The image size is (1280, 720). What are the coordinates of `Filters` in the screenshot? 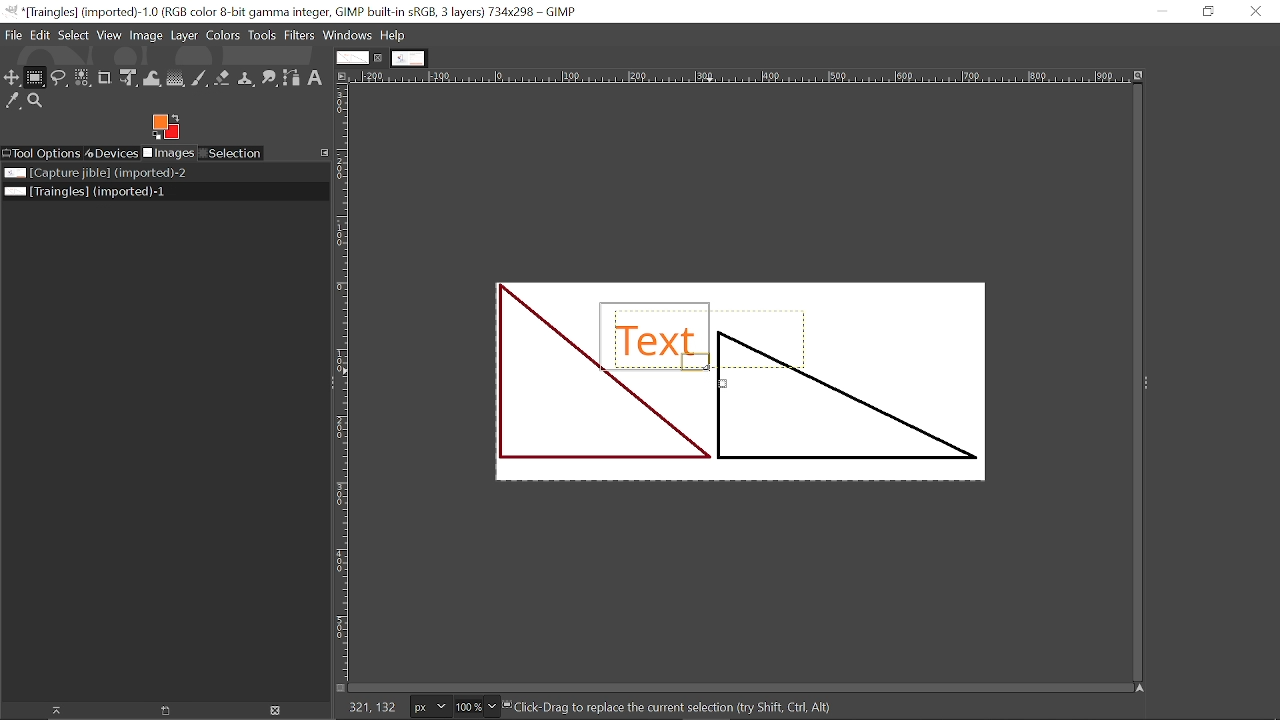 It's located at (300, 36).